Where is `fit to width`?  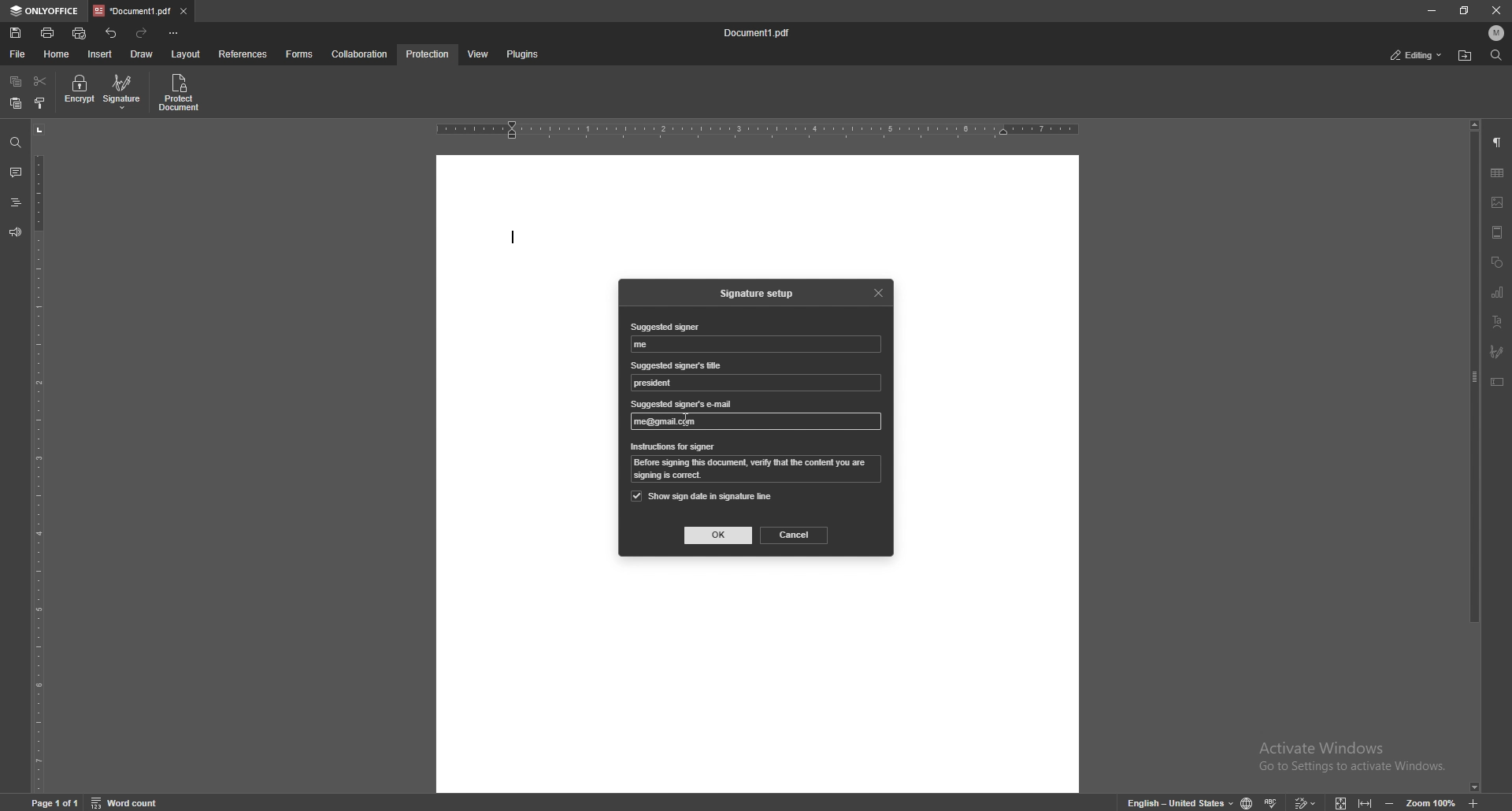
fit to width is located at coordinates (1367, 800).